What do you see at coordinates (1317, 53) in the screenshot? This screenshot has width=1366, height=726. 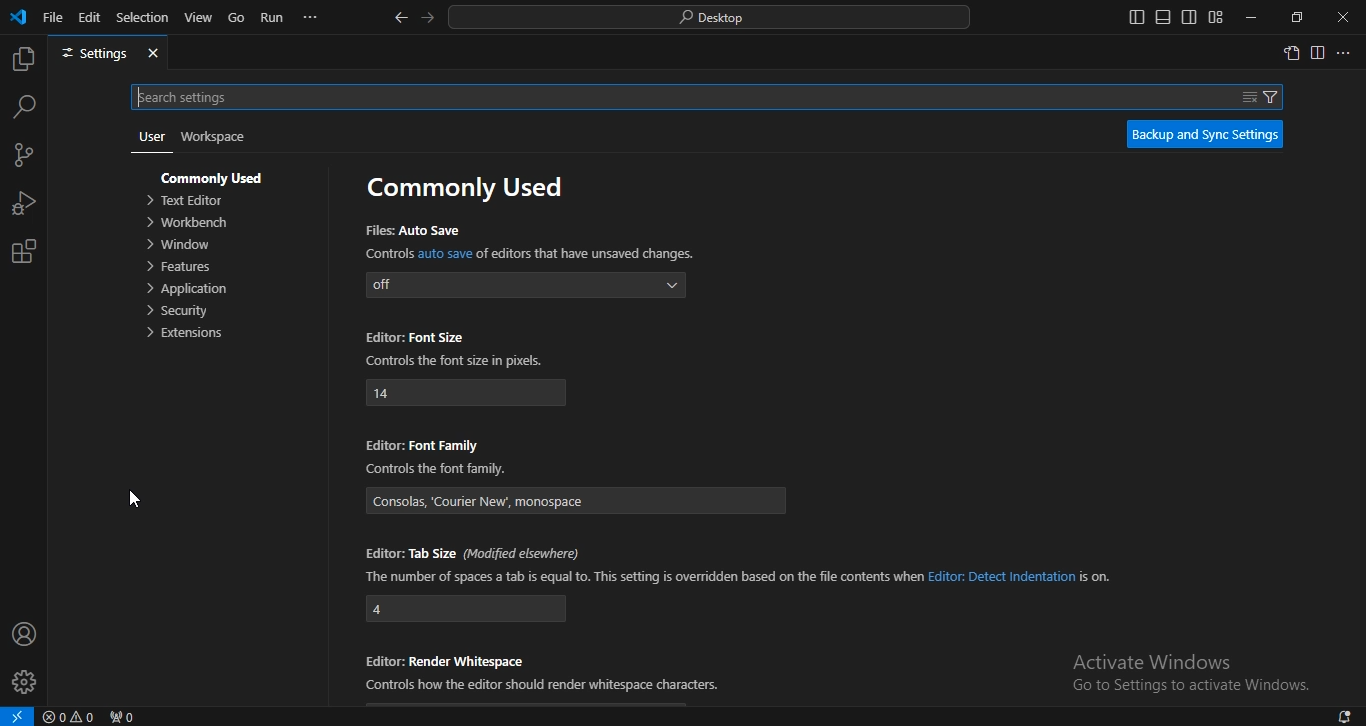 I see `split editor right` at bounding box center [1317, 53].